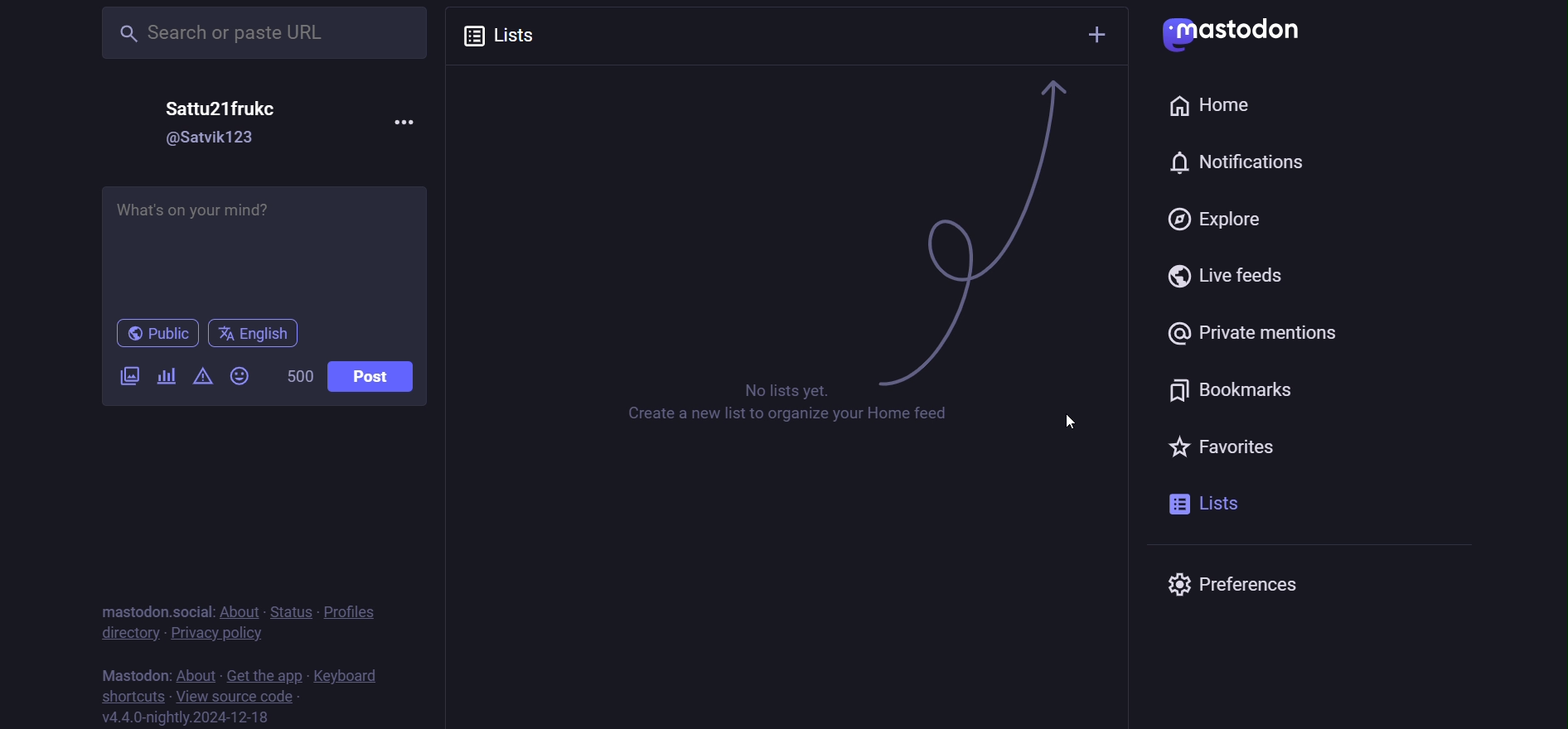 The height and width of the screenshot is (729, 1568). What do you see at coordinates (236, 695) in the screenshot?
I see `source code` at bounding box center [236, 695].